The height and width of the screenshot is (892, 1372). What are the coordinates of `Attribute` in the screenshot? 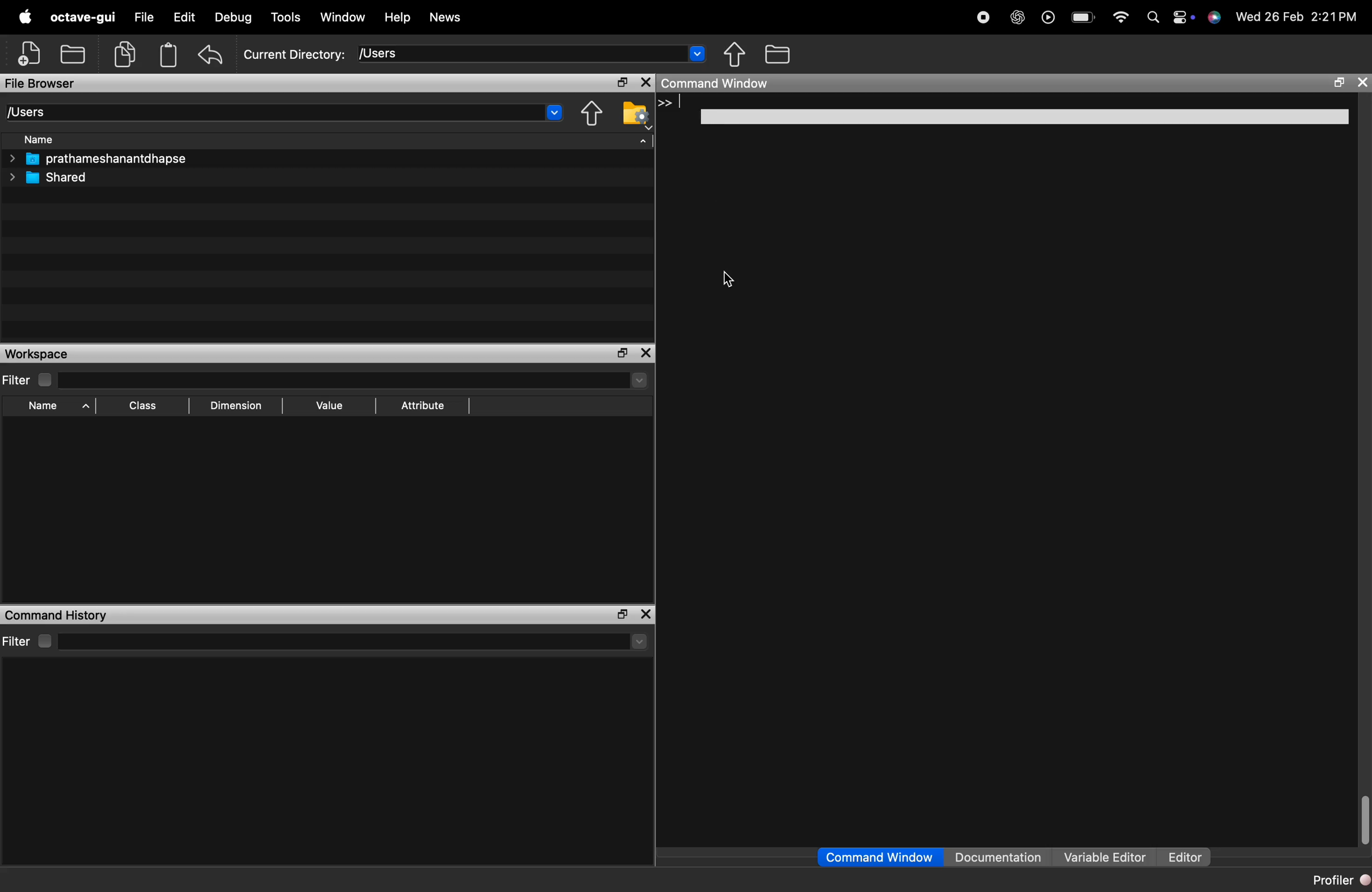 It's located at (425, 404).